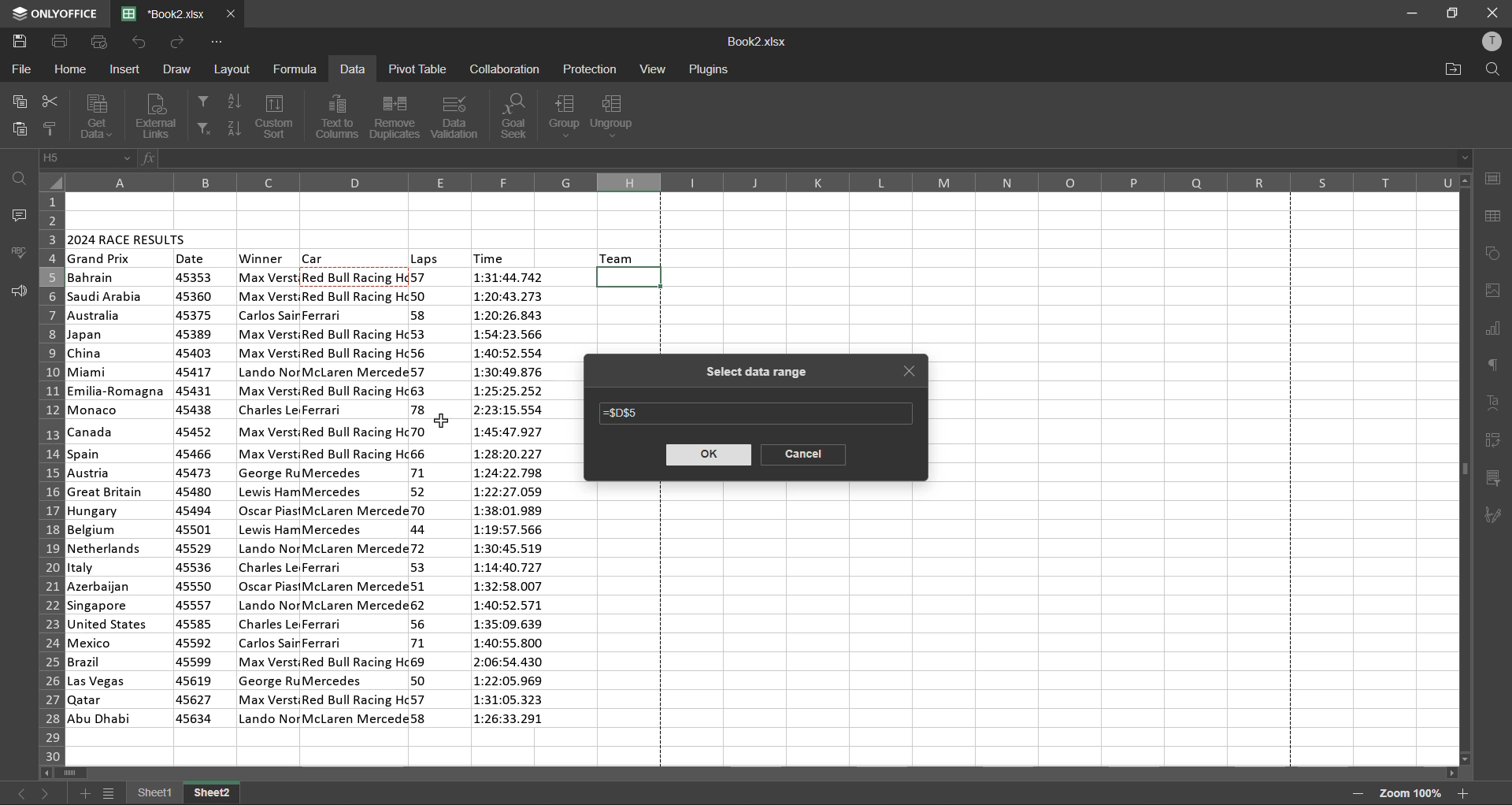  I want to click on date, so click(195, 499).